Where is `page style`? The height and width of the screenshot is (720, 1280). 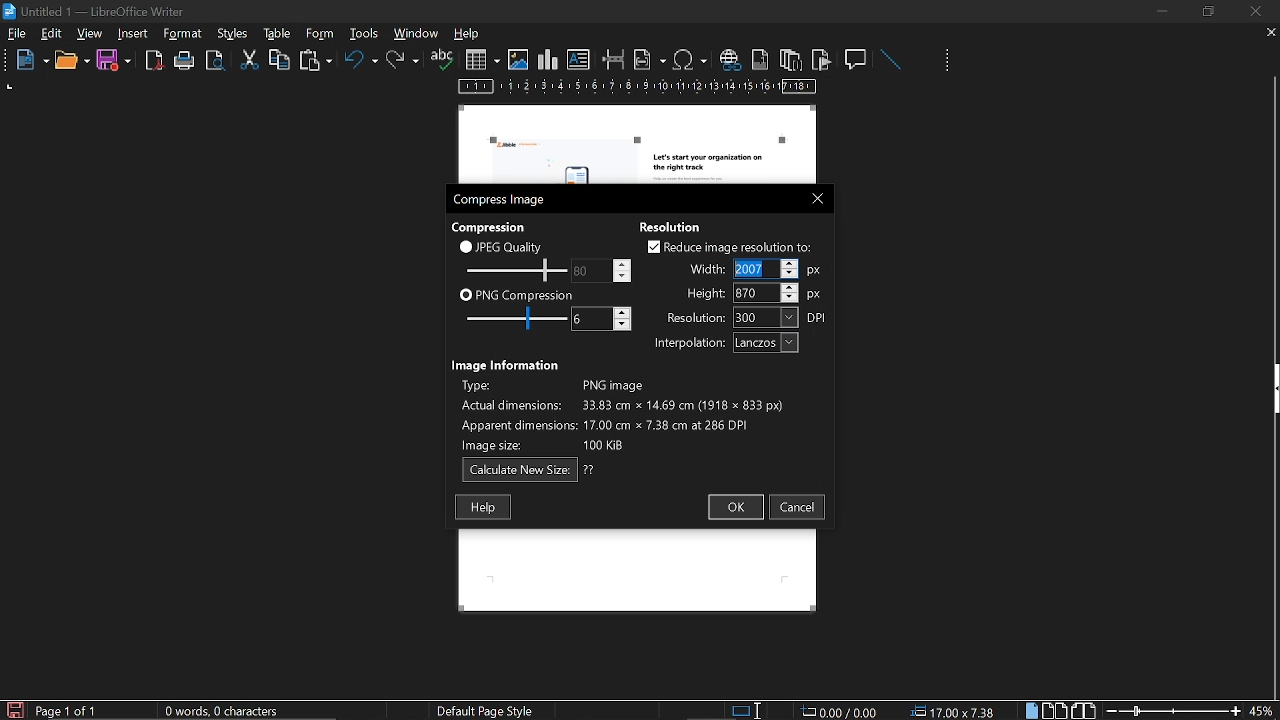 page style is located at coordinates (489, 710).